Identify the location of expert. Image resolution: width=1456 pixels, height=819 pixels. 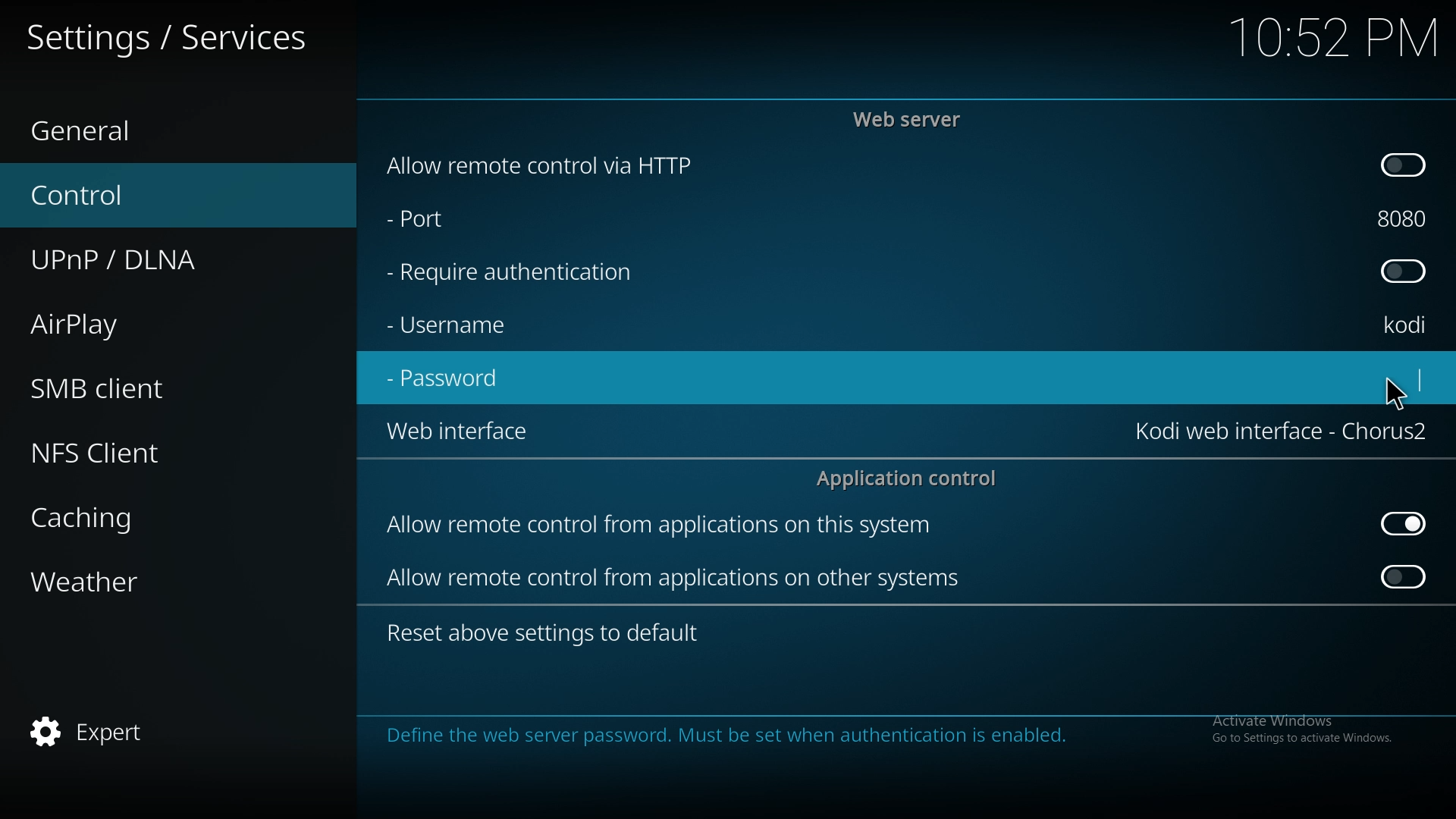
(155, 729).